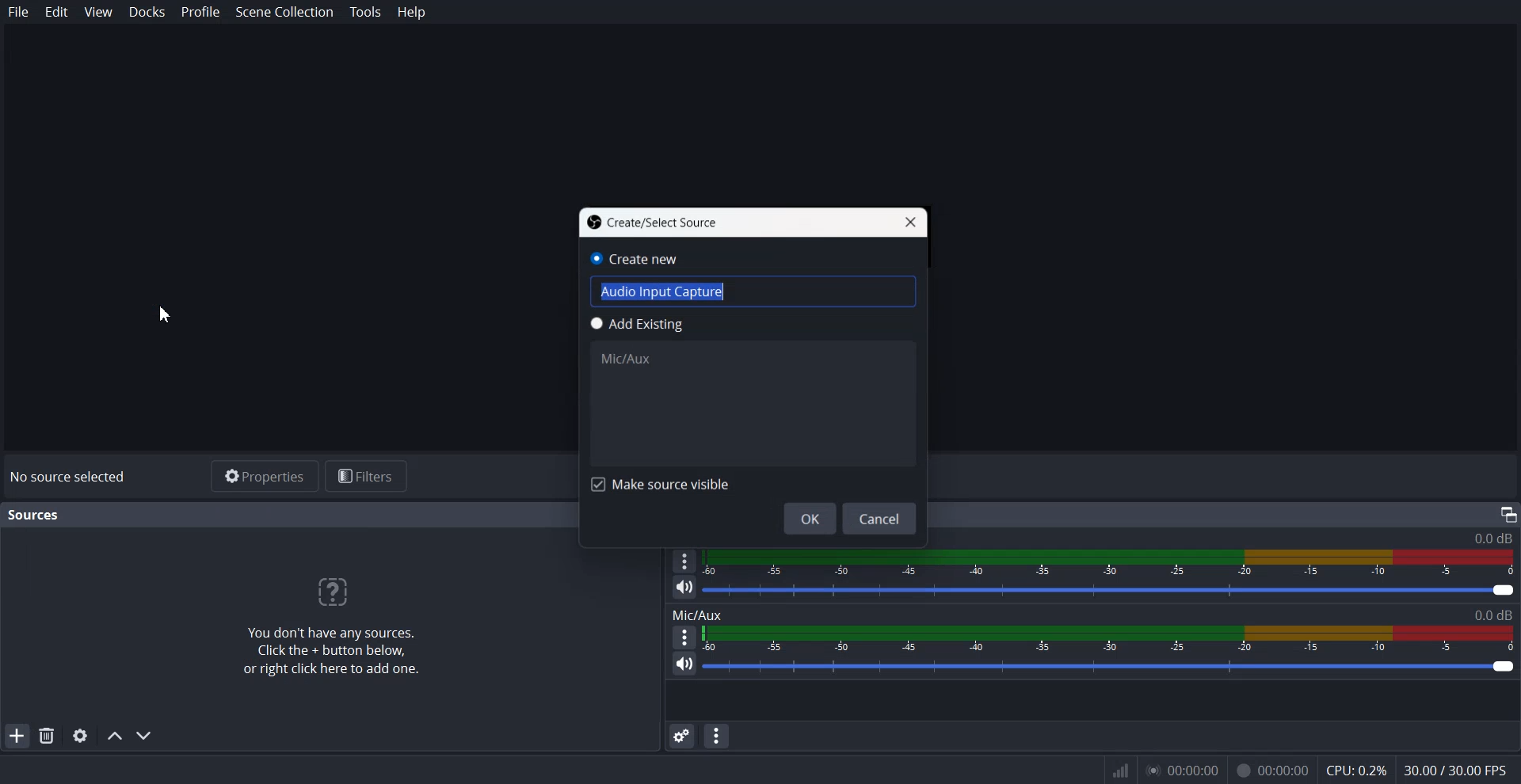 The width and height of the screenshot is (1521, 784). I want to click on Maximize, so click(1508, 513).